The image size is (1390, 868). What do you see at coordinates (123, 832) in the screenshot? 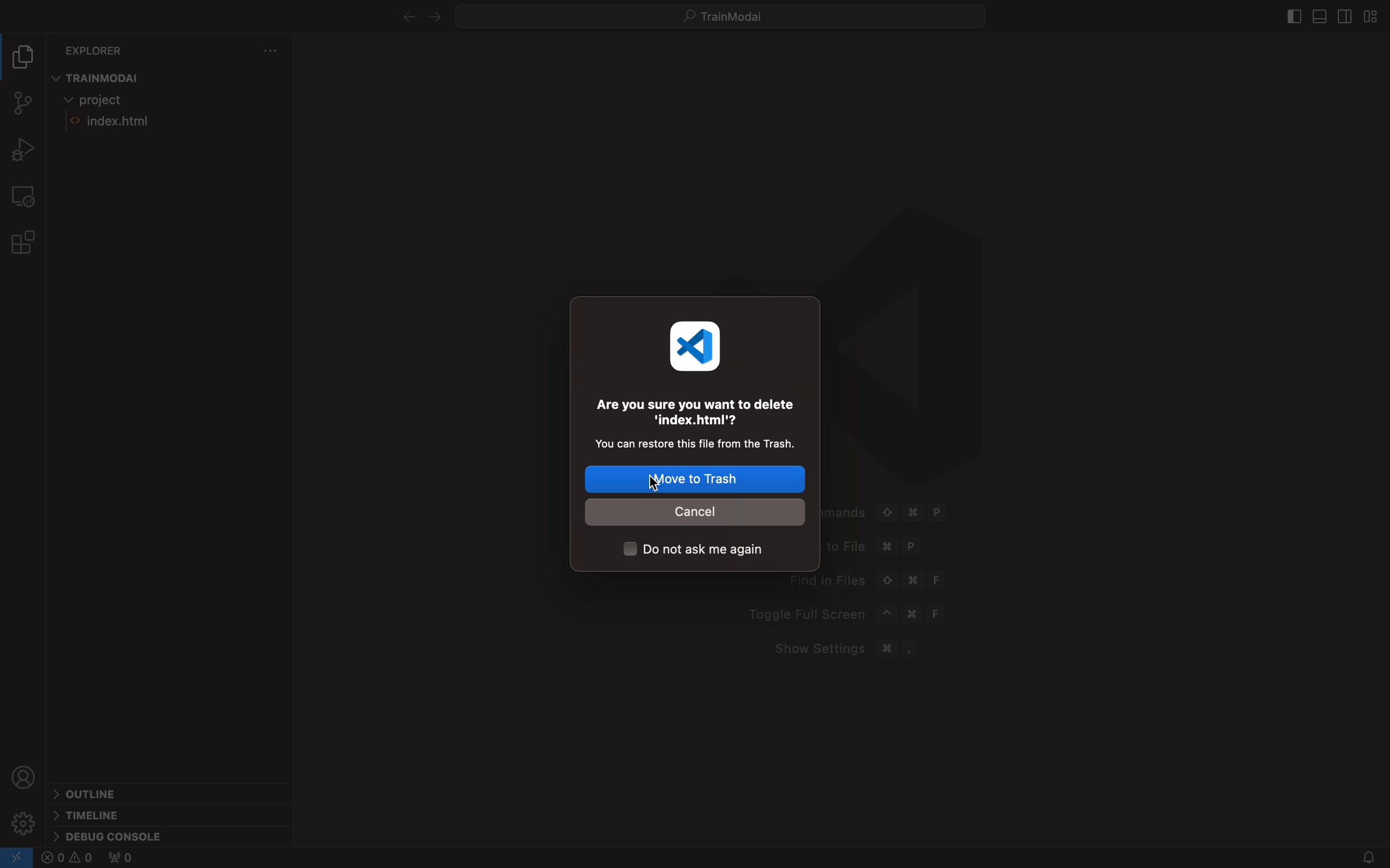
I see `debug console` at bounding box center [123, 832].